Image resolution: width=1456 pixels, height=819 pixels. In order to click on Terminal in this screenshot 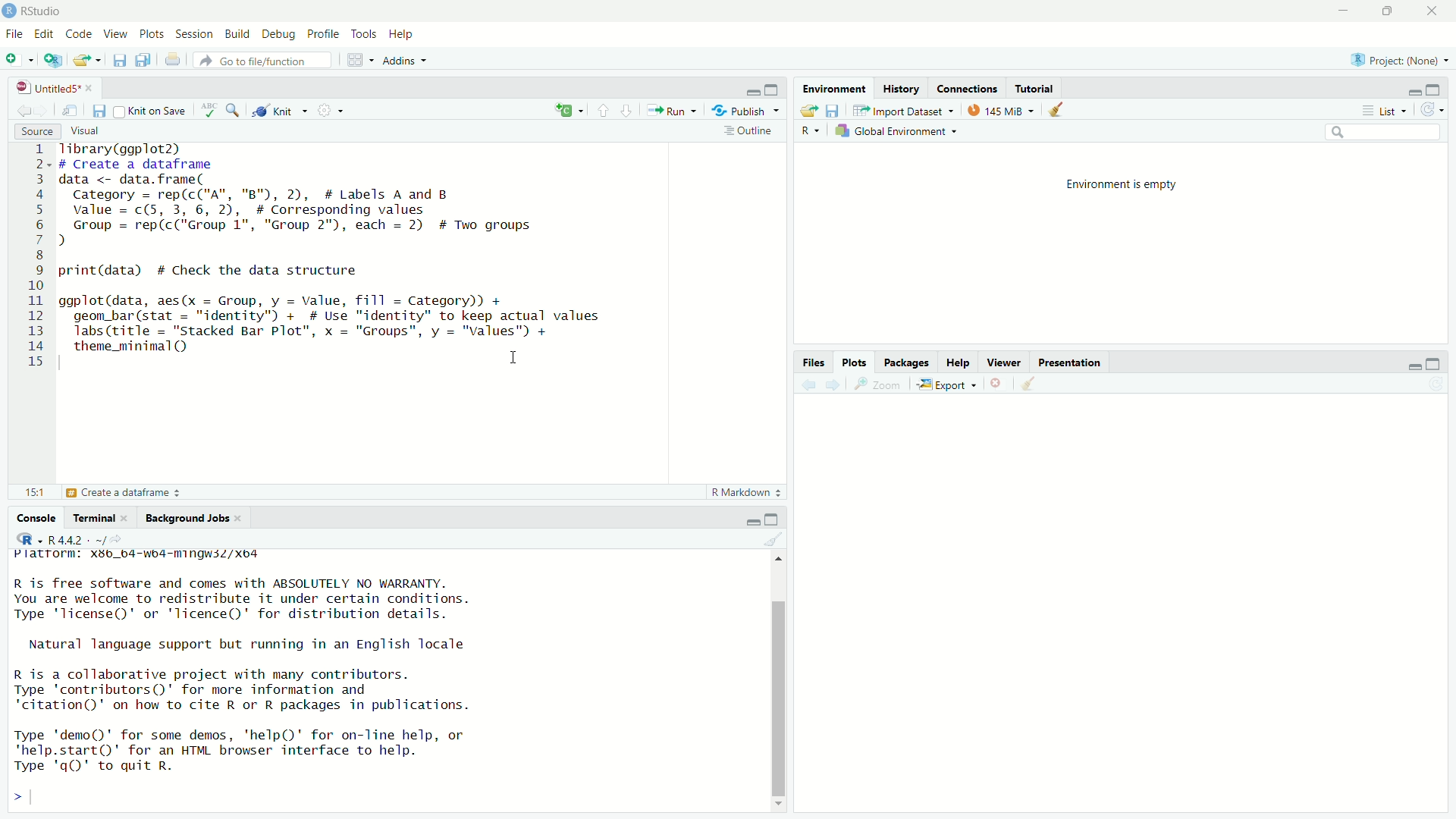, I will do `click(101, 516)`.